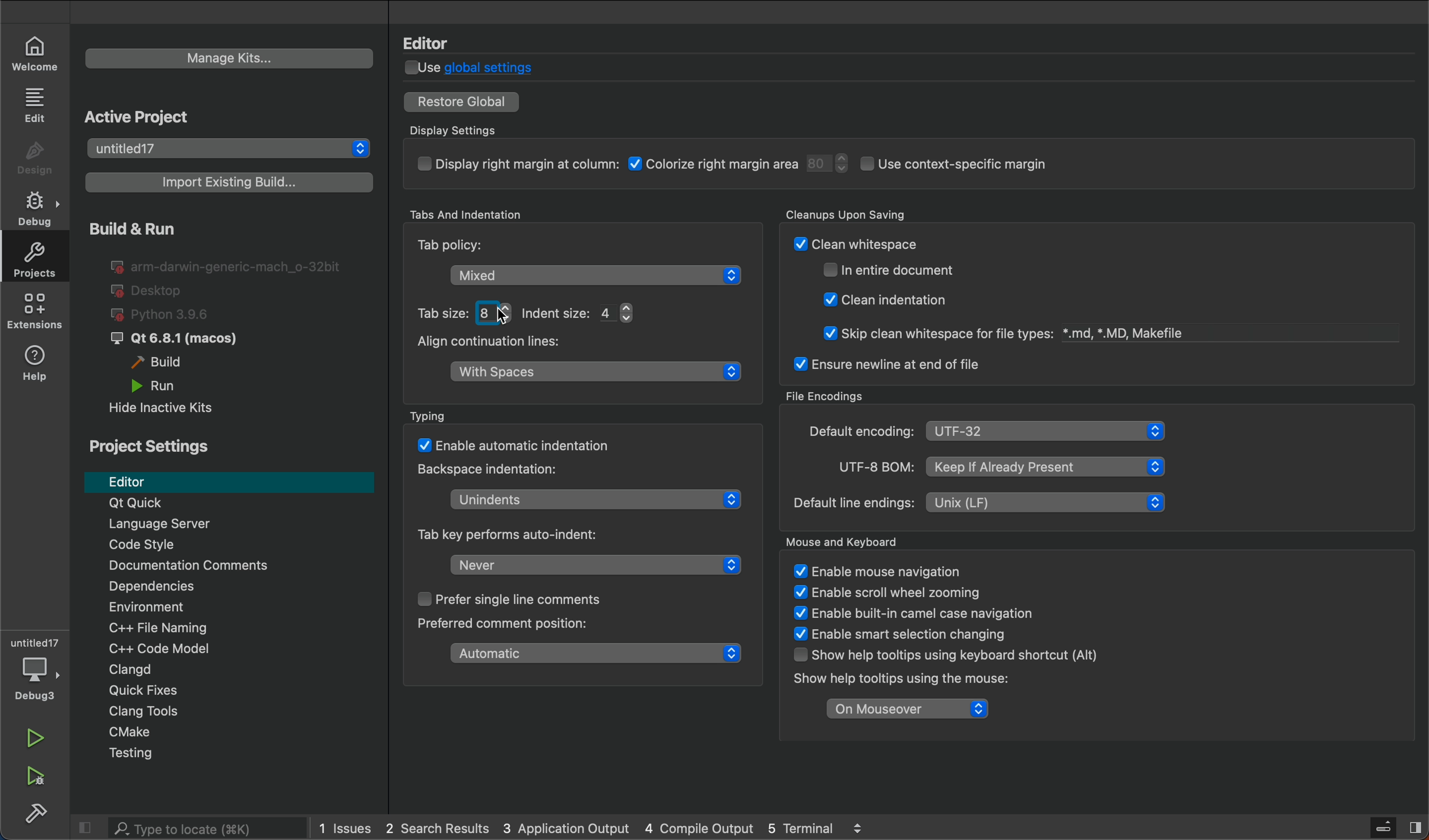  Describe the element at coordinates (584, 497) in the screenshot. I see `unidentents` at that location.